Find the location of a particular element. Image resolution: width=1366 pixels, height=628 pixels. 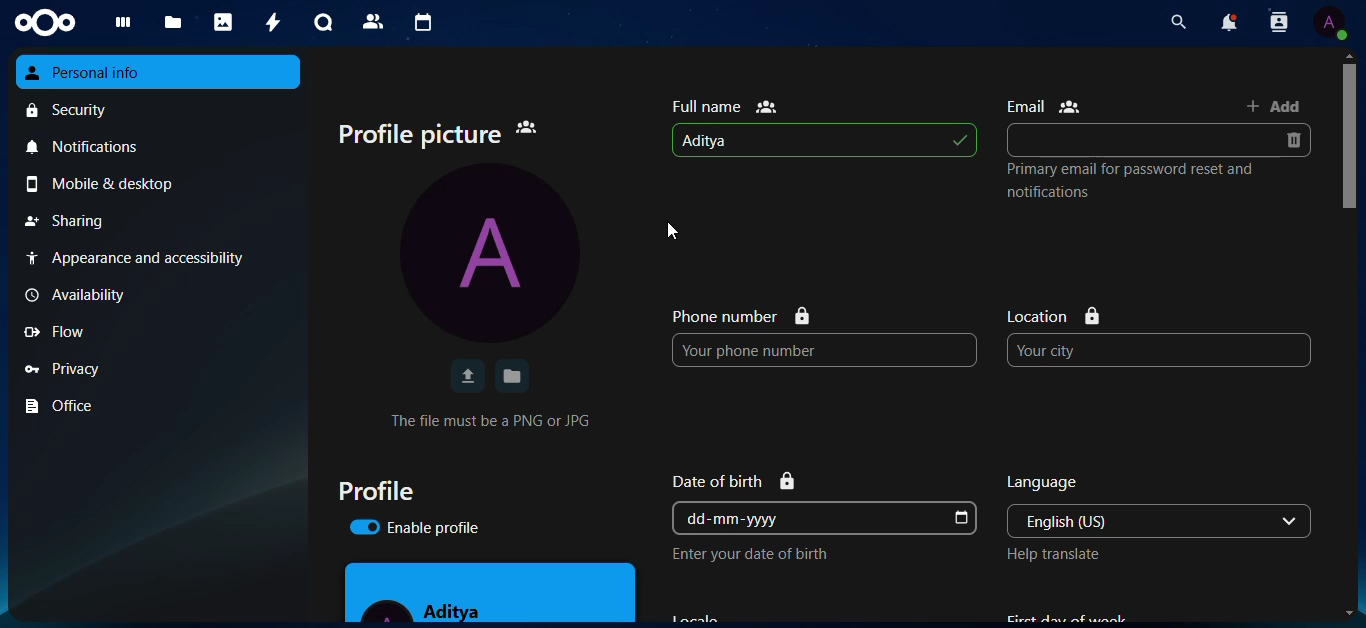

Aditya is located at coordinates (824, 140).